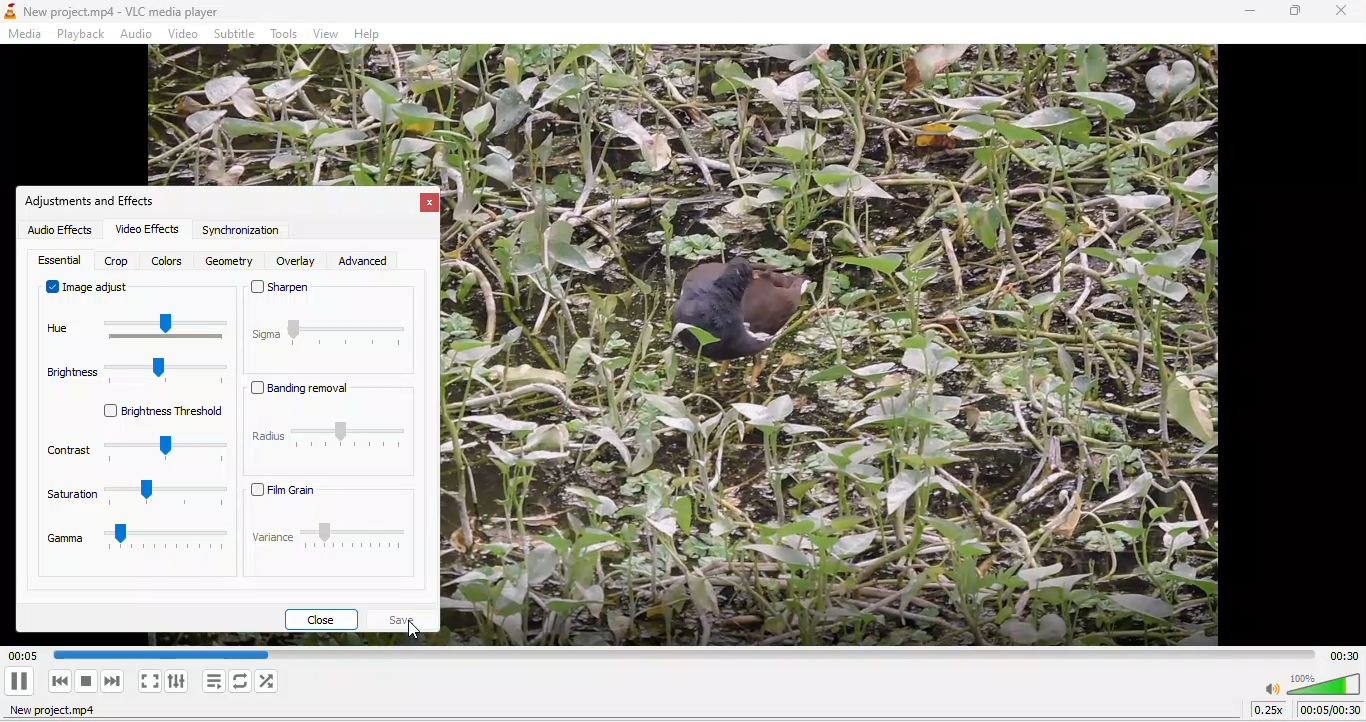 The height and width of the screenshot is (722, 1366). I want to click on video, so click(185, 34).